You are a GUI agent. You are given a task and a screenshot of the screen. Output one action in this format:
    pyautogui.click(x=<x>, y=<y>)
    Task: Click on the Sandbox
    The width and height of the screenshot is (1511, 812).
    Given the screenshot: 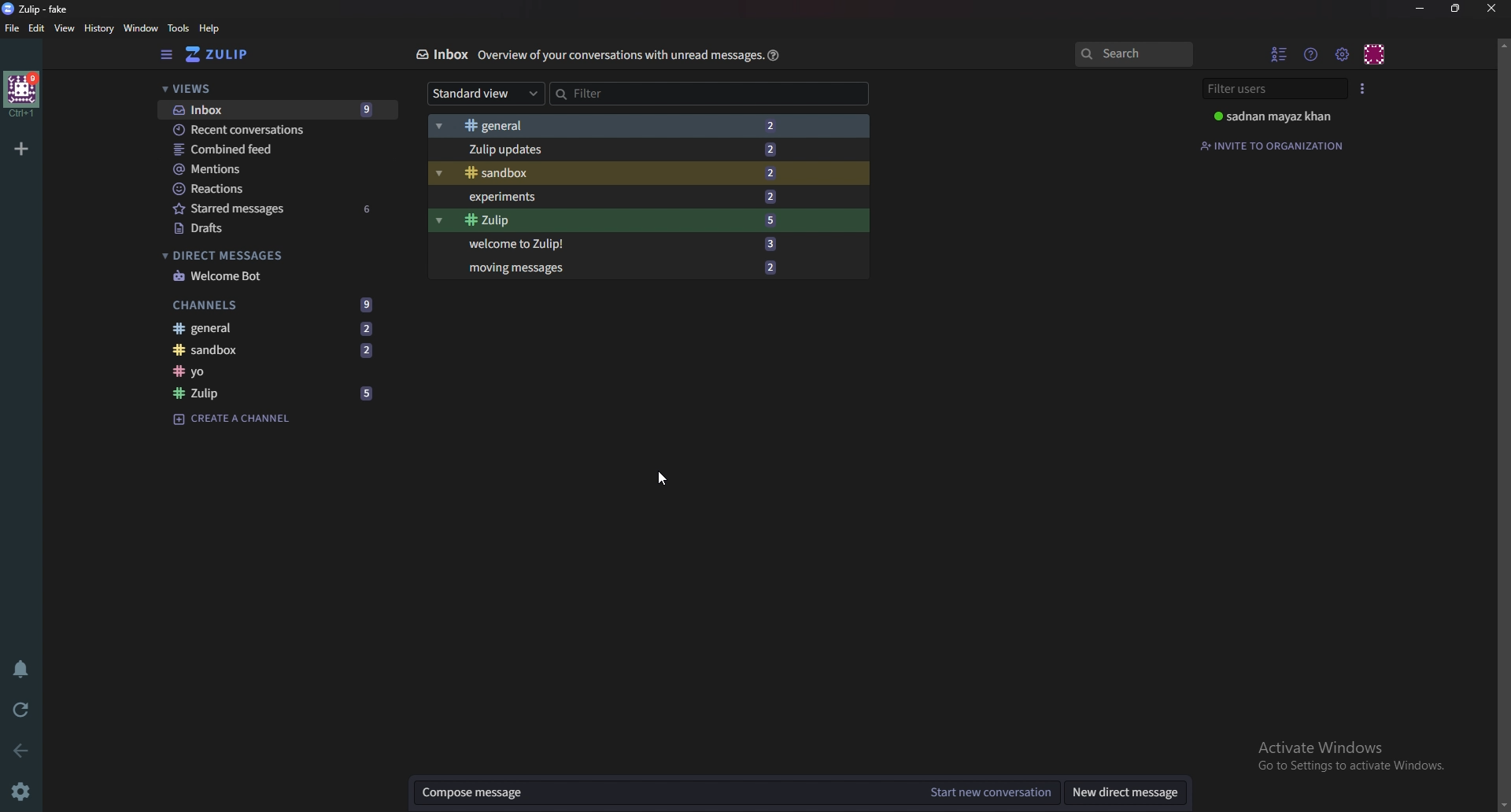 What is the action you would take?
    pyautogui.click(x=626, y=173)
    